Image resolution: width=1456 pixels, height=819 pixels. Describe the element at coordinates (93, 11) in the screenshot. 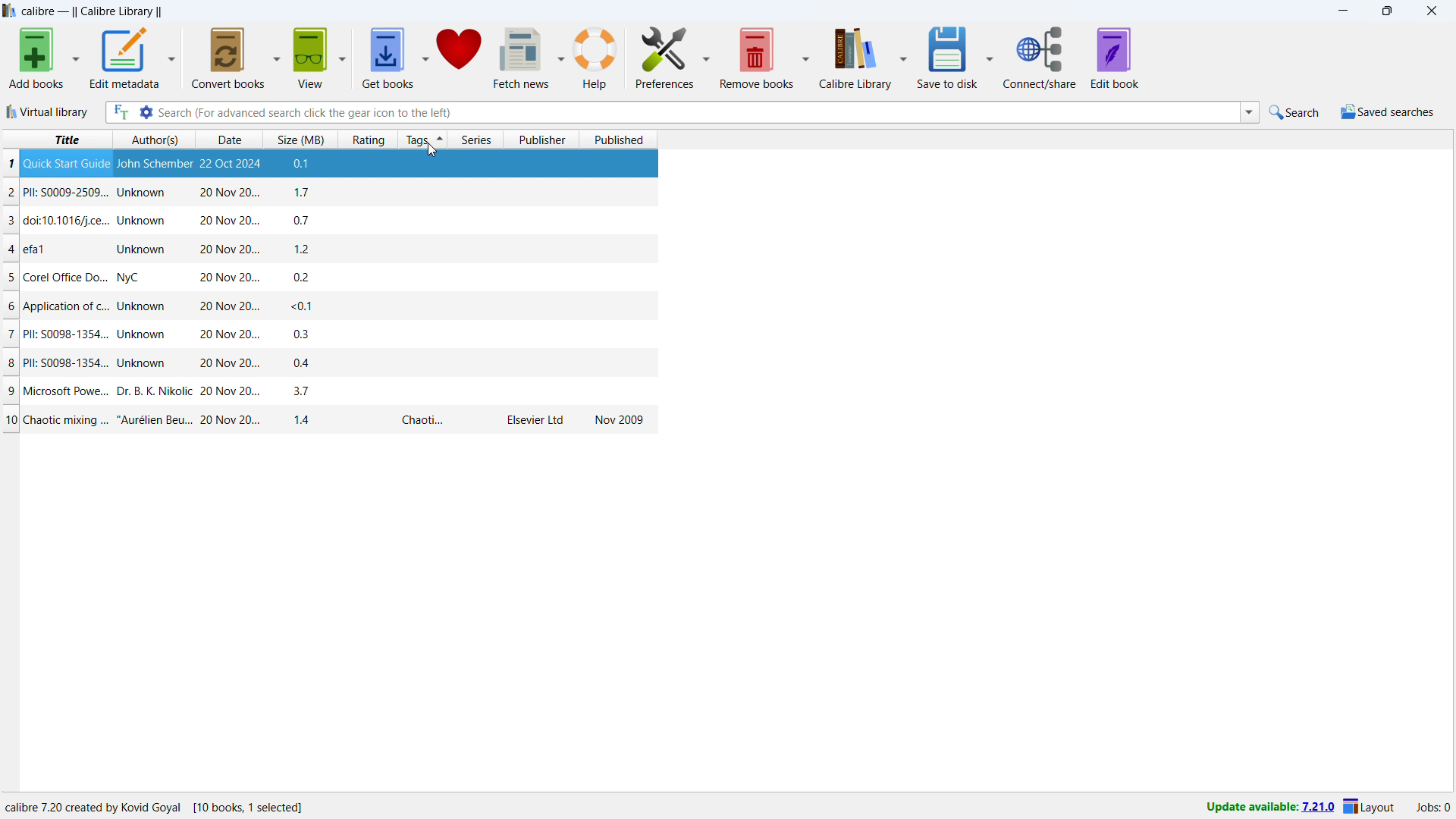

I see `title` at that location.